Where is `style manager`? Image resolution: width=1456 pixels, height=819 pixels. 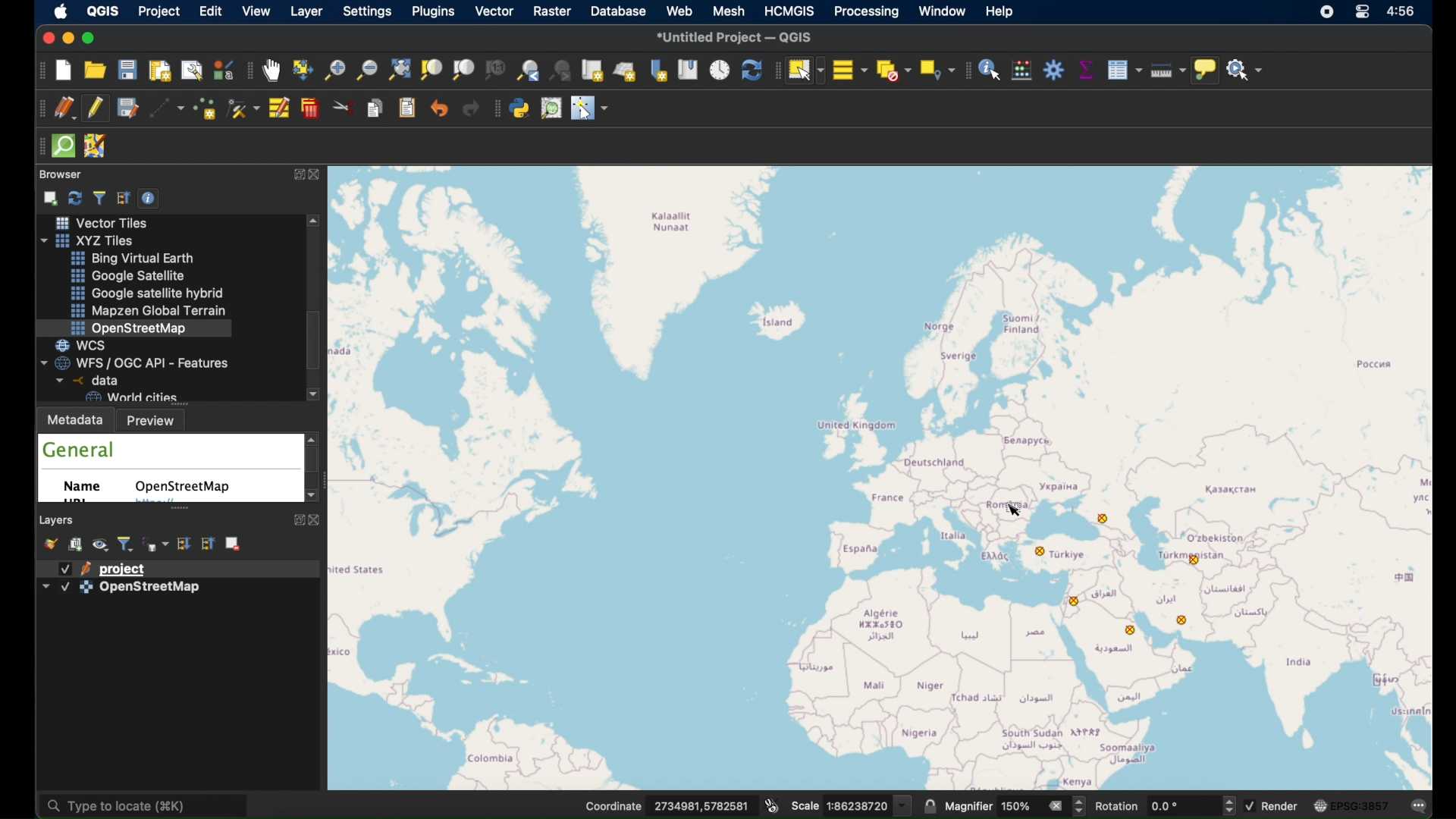 style manager is located at coordinates (224, 69).